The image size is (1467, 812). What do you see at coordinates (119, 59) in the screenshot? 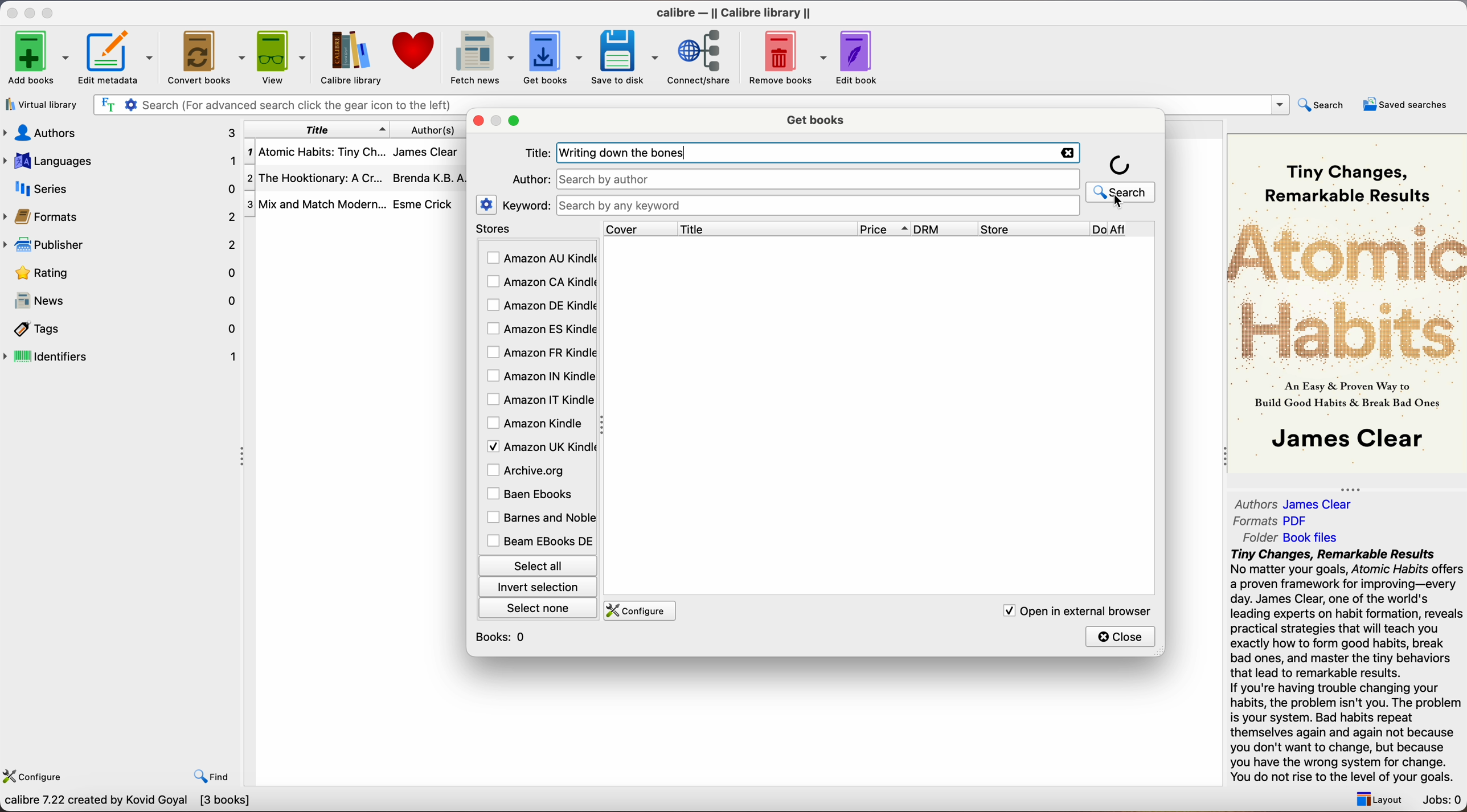
I see `edit metadata` at bounding box center [119, 59].